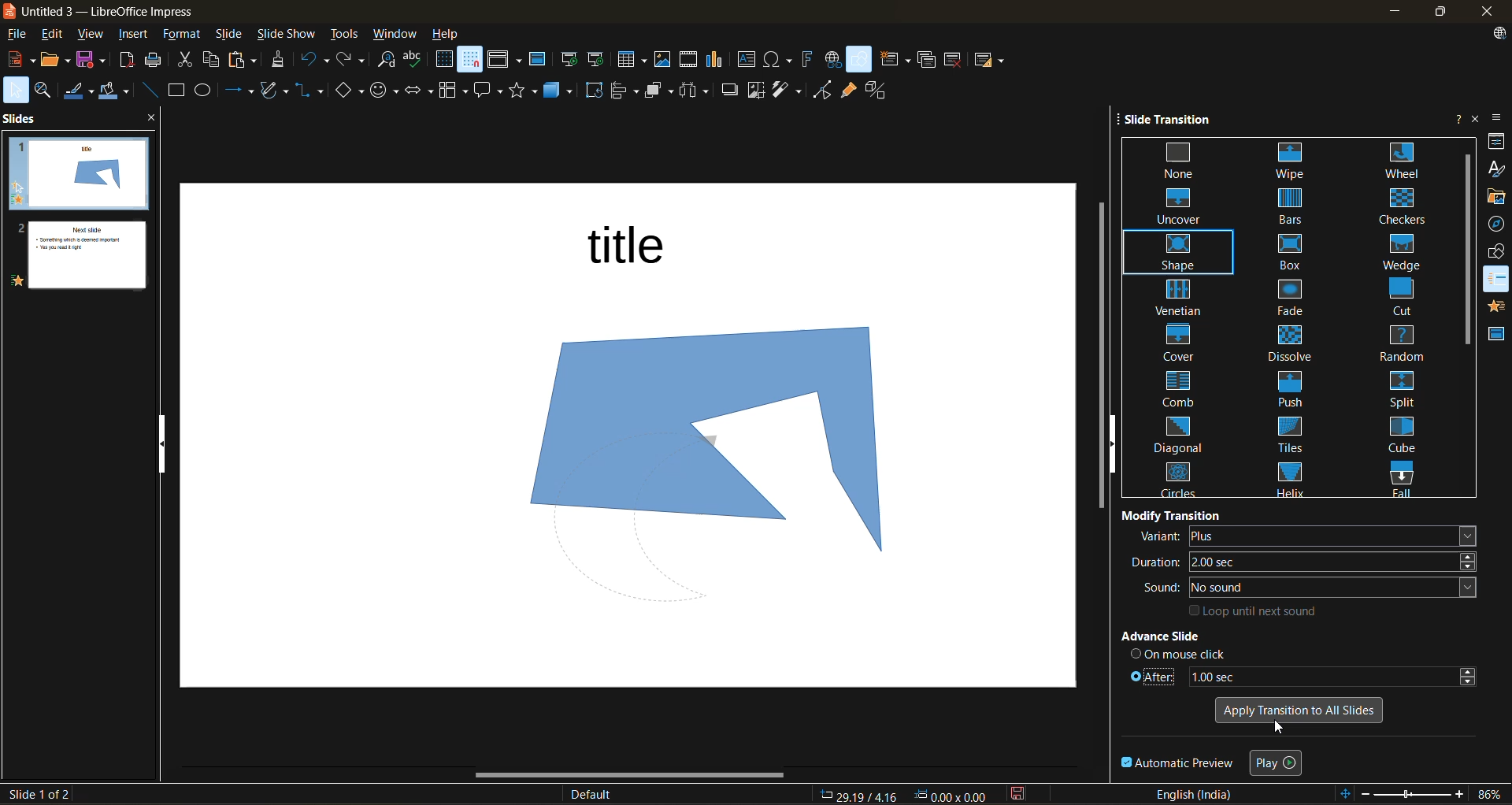 This screenshot has width=1512, height=805. I want to click on format, so click(184, 35).